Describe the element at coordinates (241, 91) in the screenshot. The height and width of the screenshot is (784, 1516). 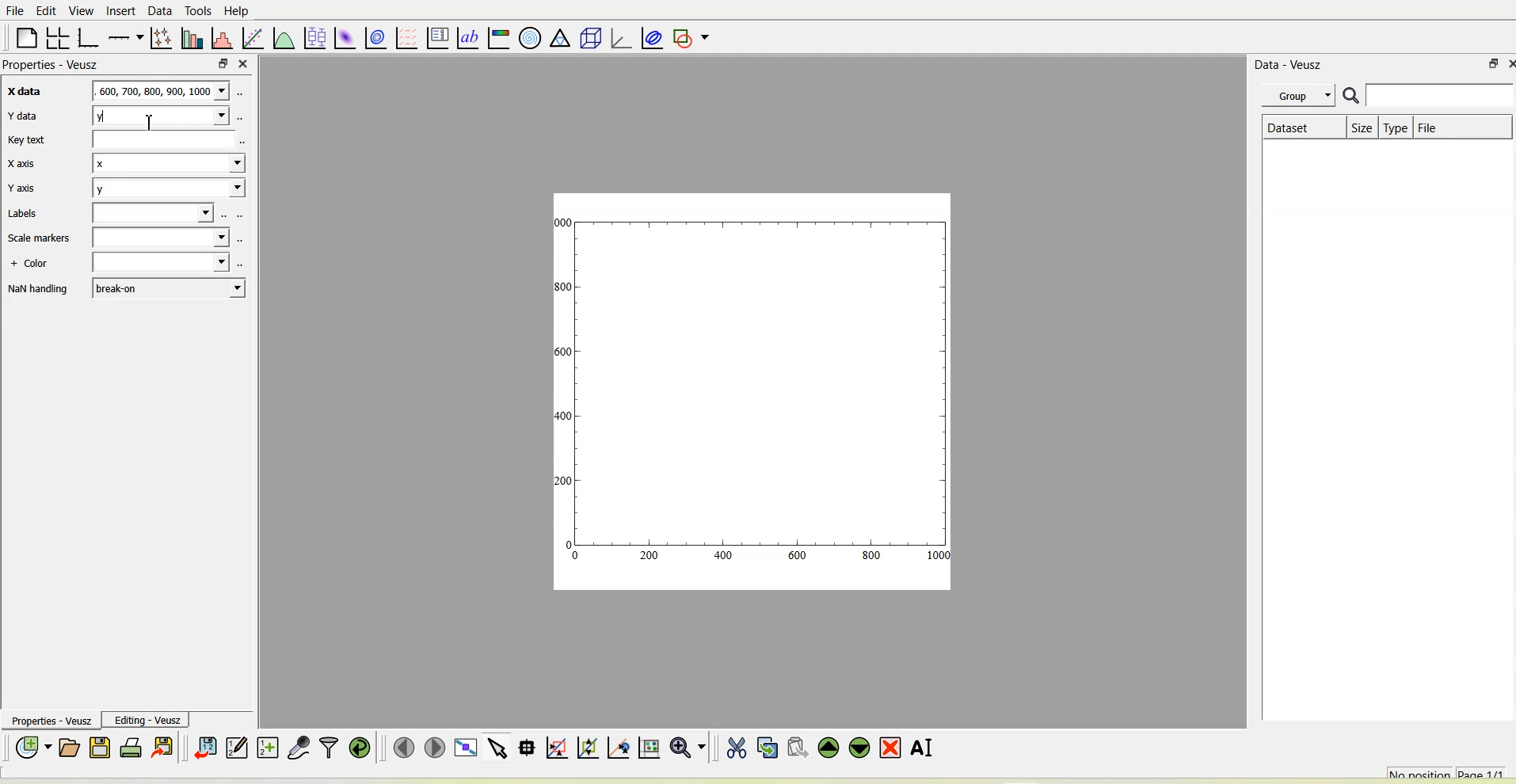
I see `select using dataset browser` at that location.